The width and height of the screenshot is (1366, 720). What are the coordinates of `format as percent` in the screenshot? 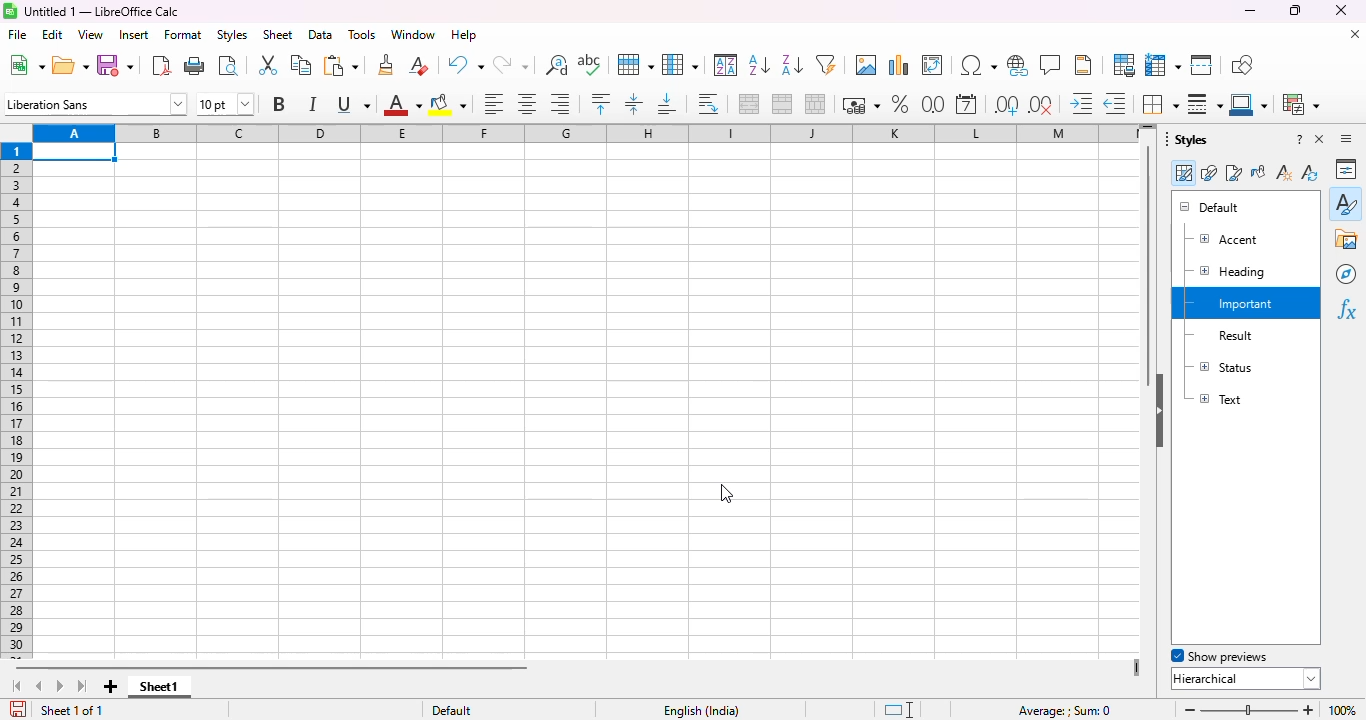 It's located at (900, 104).